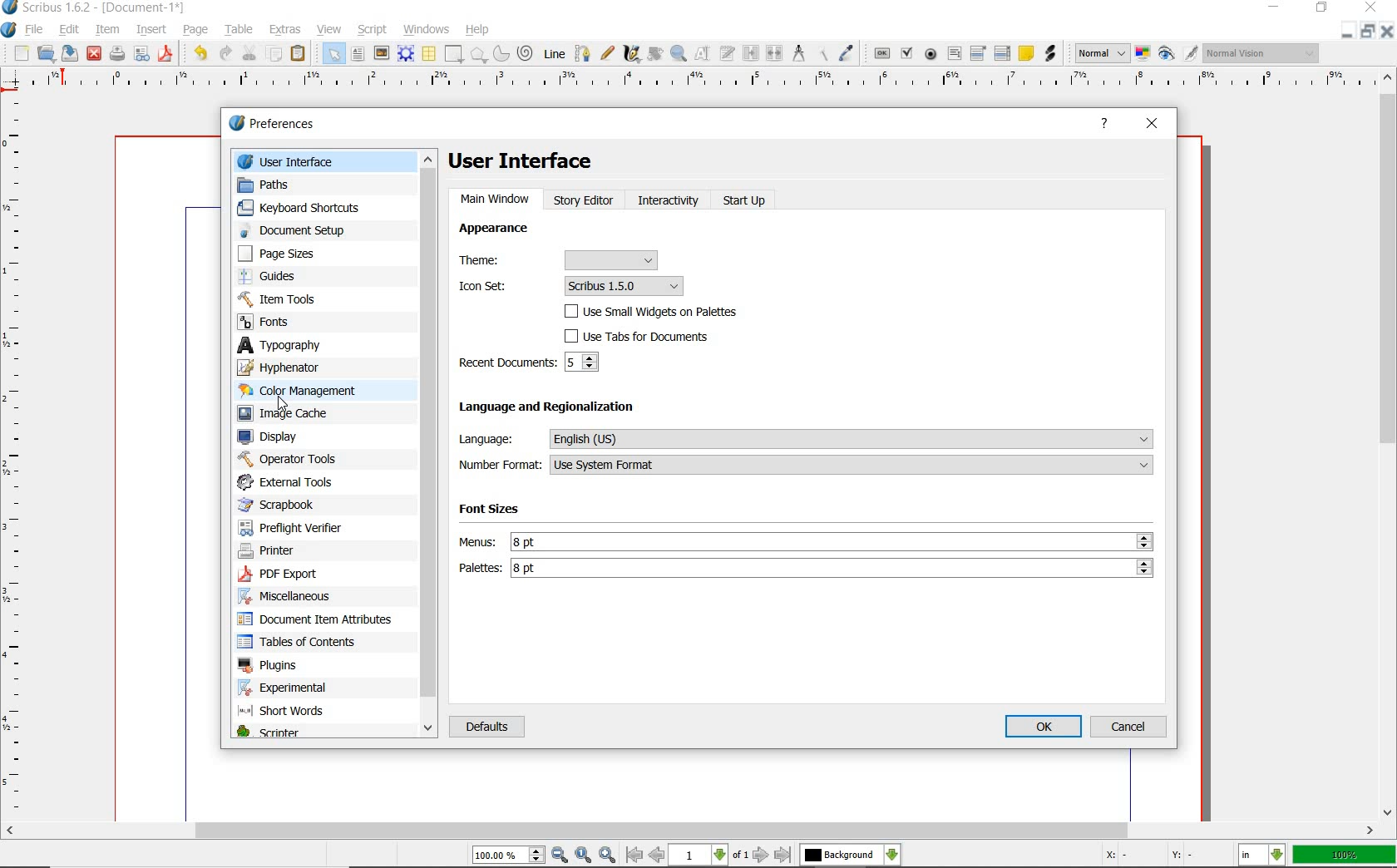 Image resolution: width=1397 pixels, height=868 pixels. What do you see at coordinates (1106, 125) in the screenshot?
I see `HELP` at bounding box center [1106, 125].